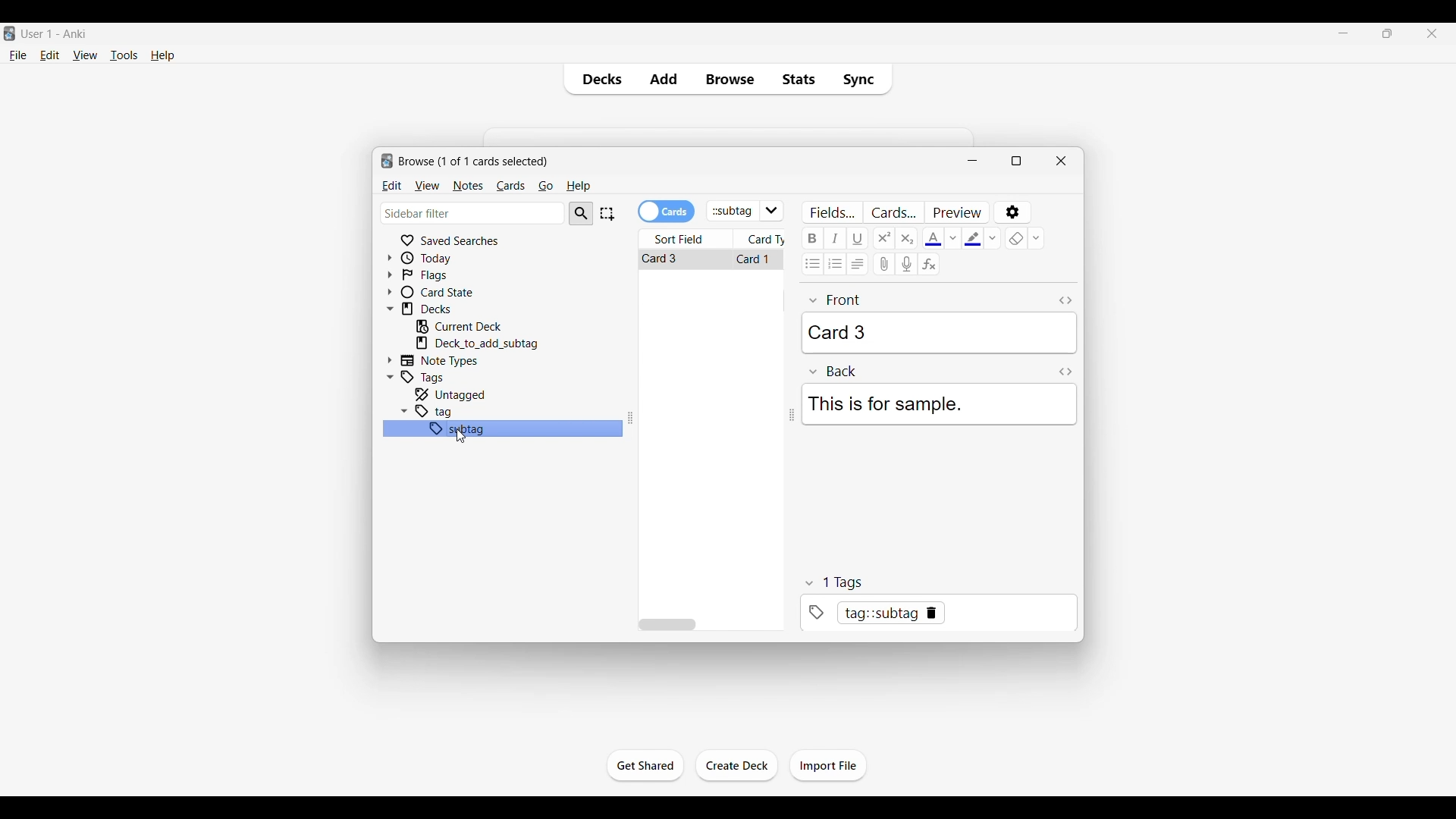  What do you see at coordinates (449, 291) in the screenshot?
I see `Click to go to card state` at bounding box center [449, 291].